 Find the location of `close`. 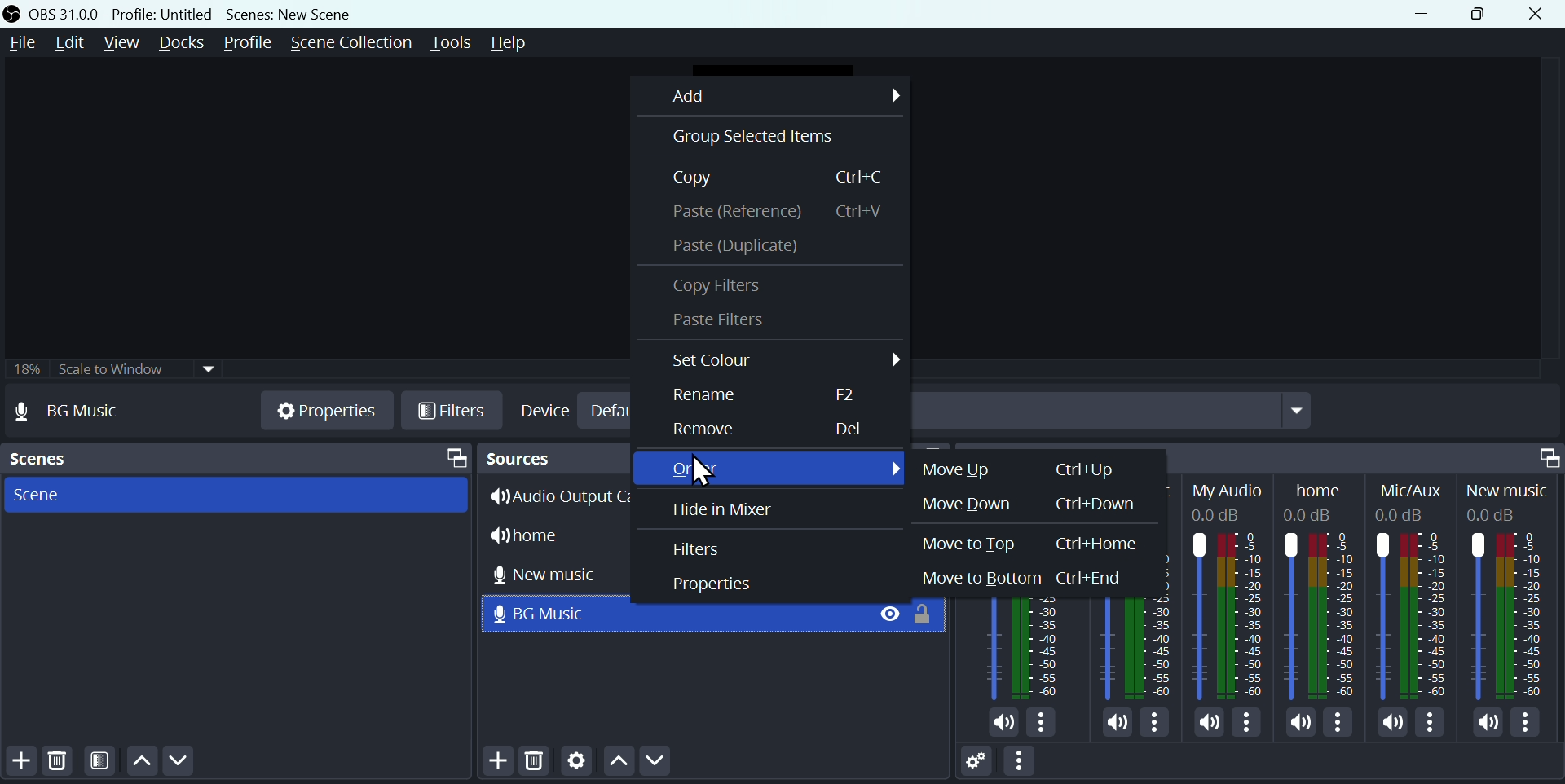

close is located at coordinates (1536, 11).